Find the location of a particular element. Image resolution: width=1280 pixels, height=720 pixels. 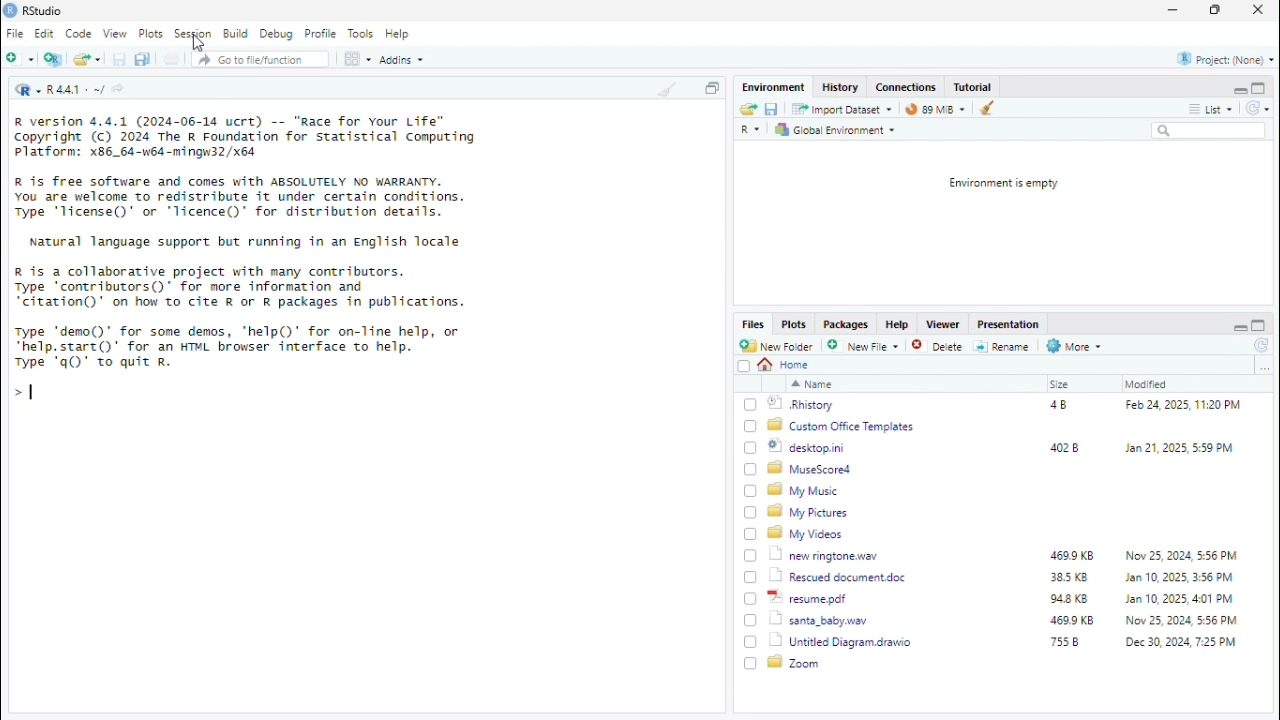

Checkbox is located at coordinates (751, 556).